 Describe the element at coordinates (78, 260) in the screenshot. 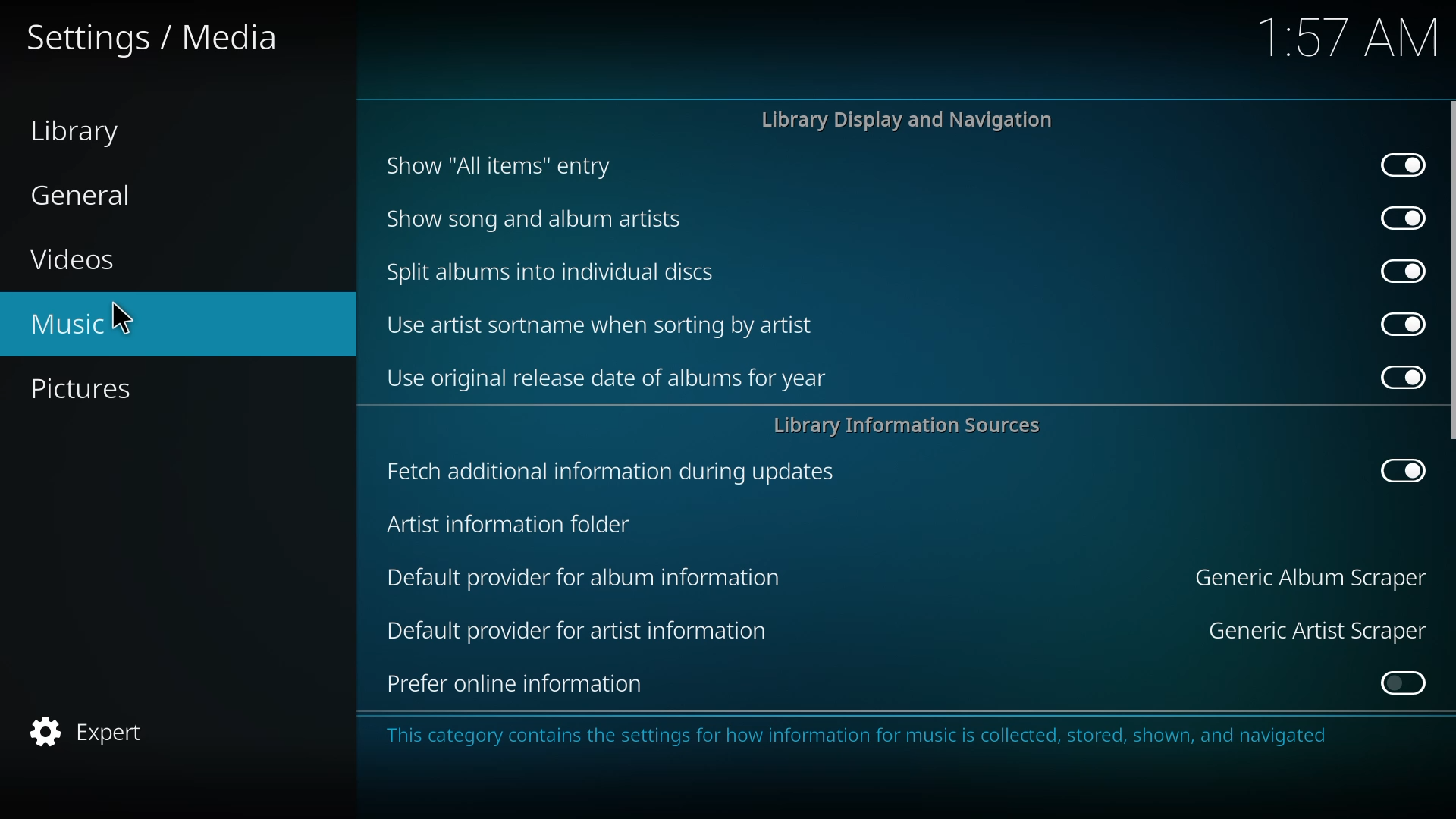

I see `videos` at that location.